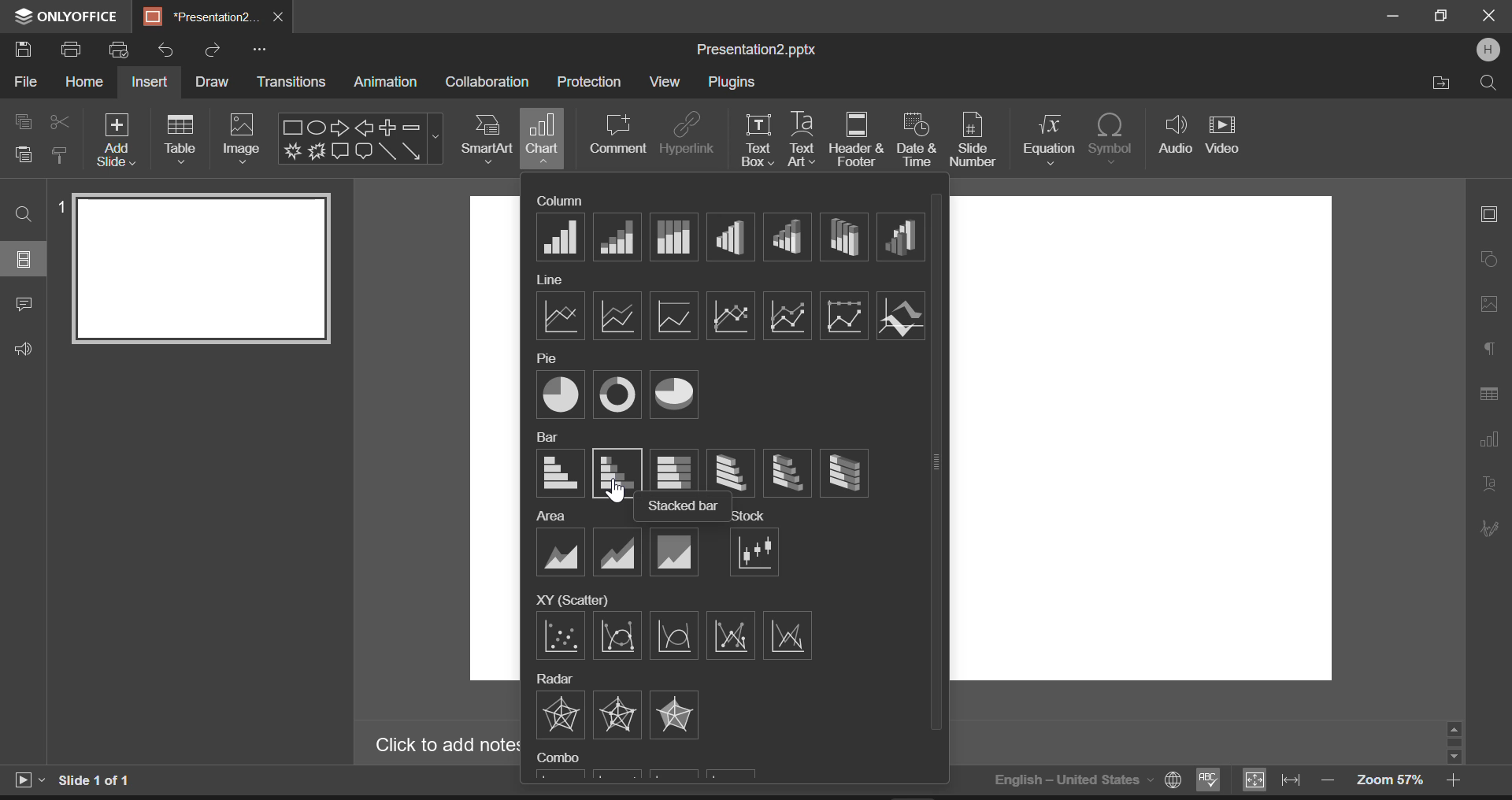 Image resolution: width=1512 pixels, height=800 pixels. What do you see at coordinates (786, 236) in the screenshot?
I see `3-D Stacked Column` at bounding box center [786, 236].